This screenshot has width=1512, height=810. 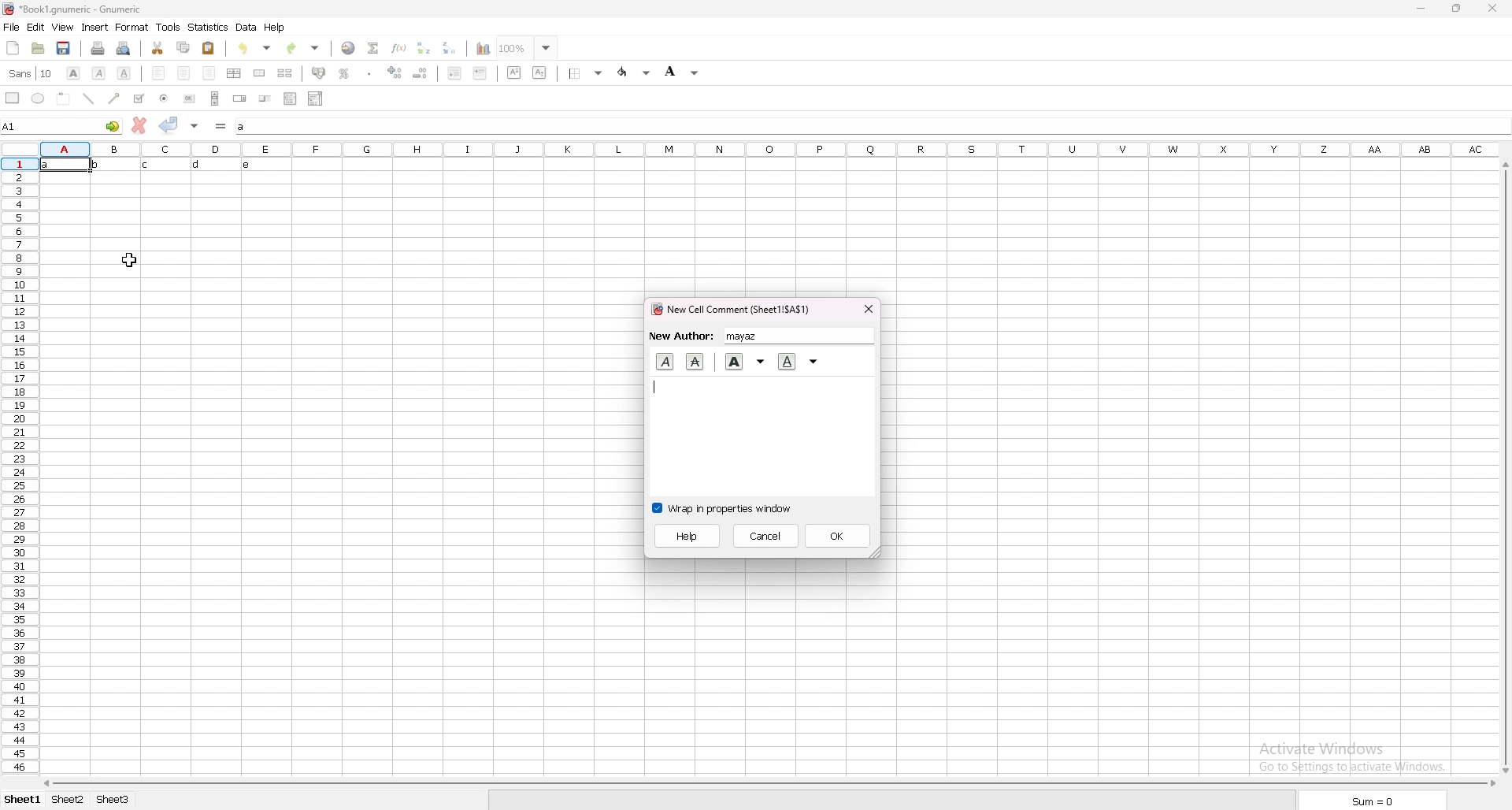 I want to click on slider, so click(x=265, y=99).